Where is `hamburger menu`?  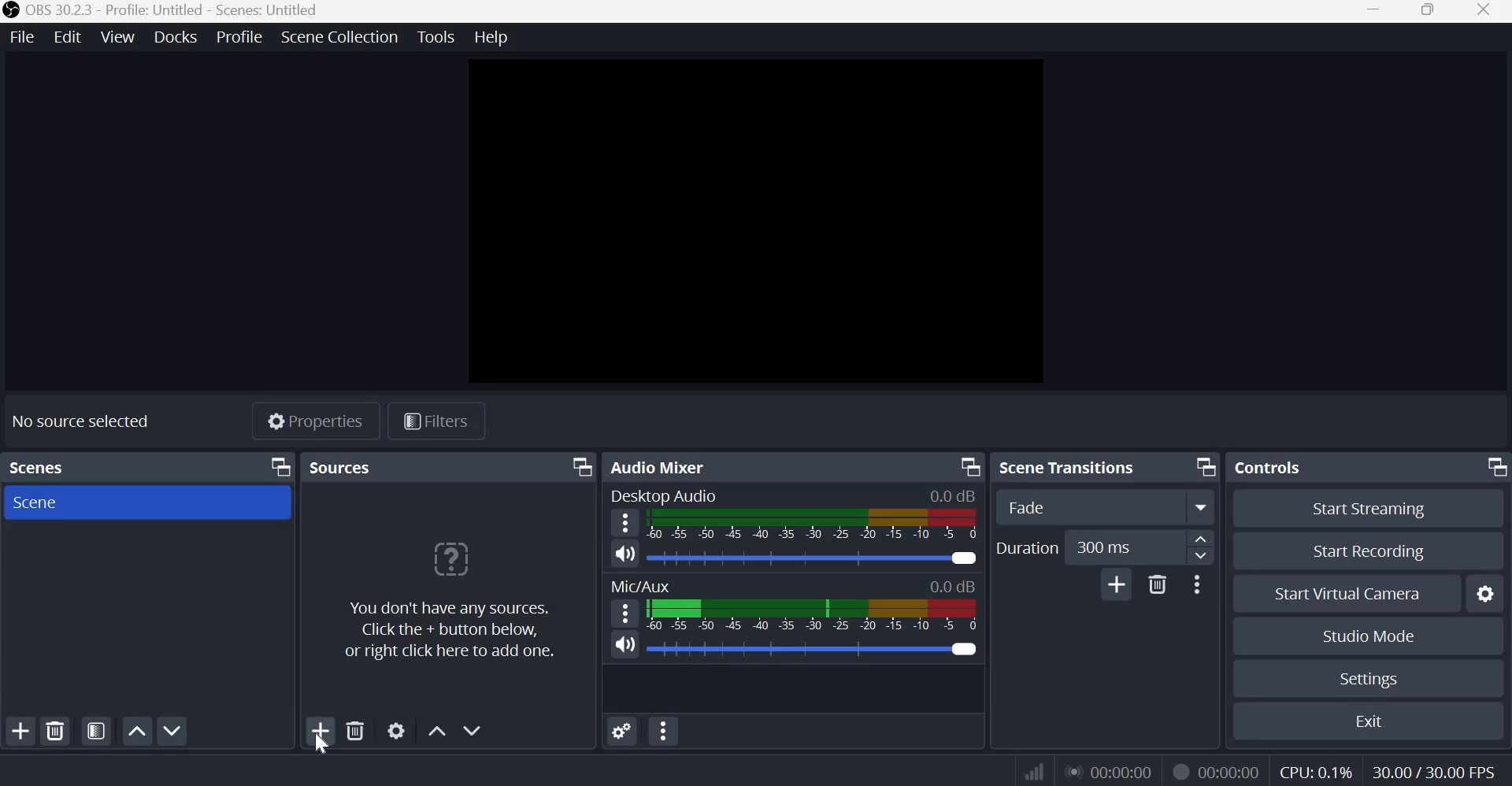 hamburger menu is located at coordinates (624, 614).